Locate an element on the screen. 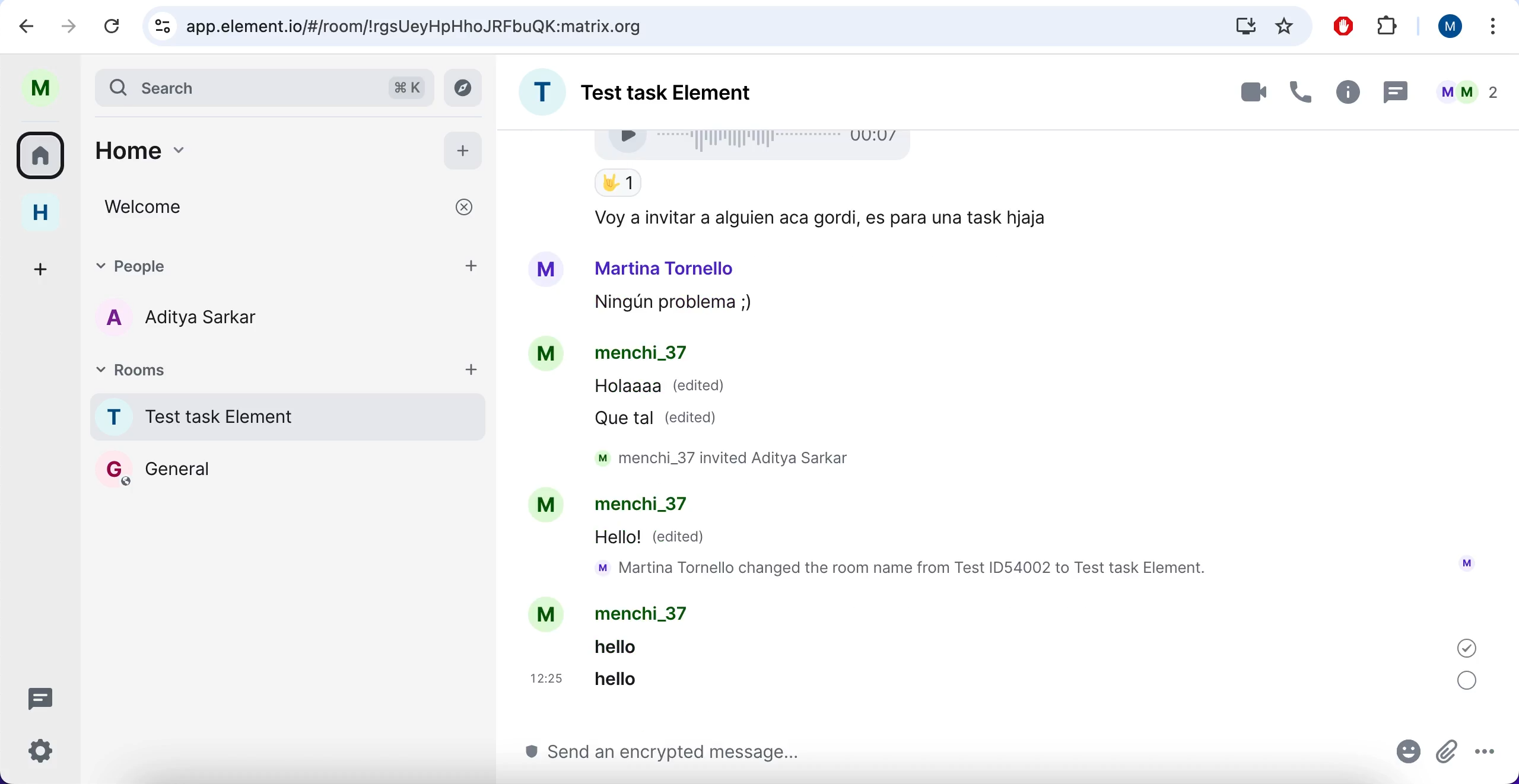  sync is located at coordinates (1464, 681).